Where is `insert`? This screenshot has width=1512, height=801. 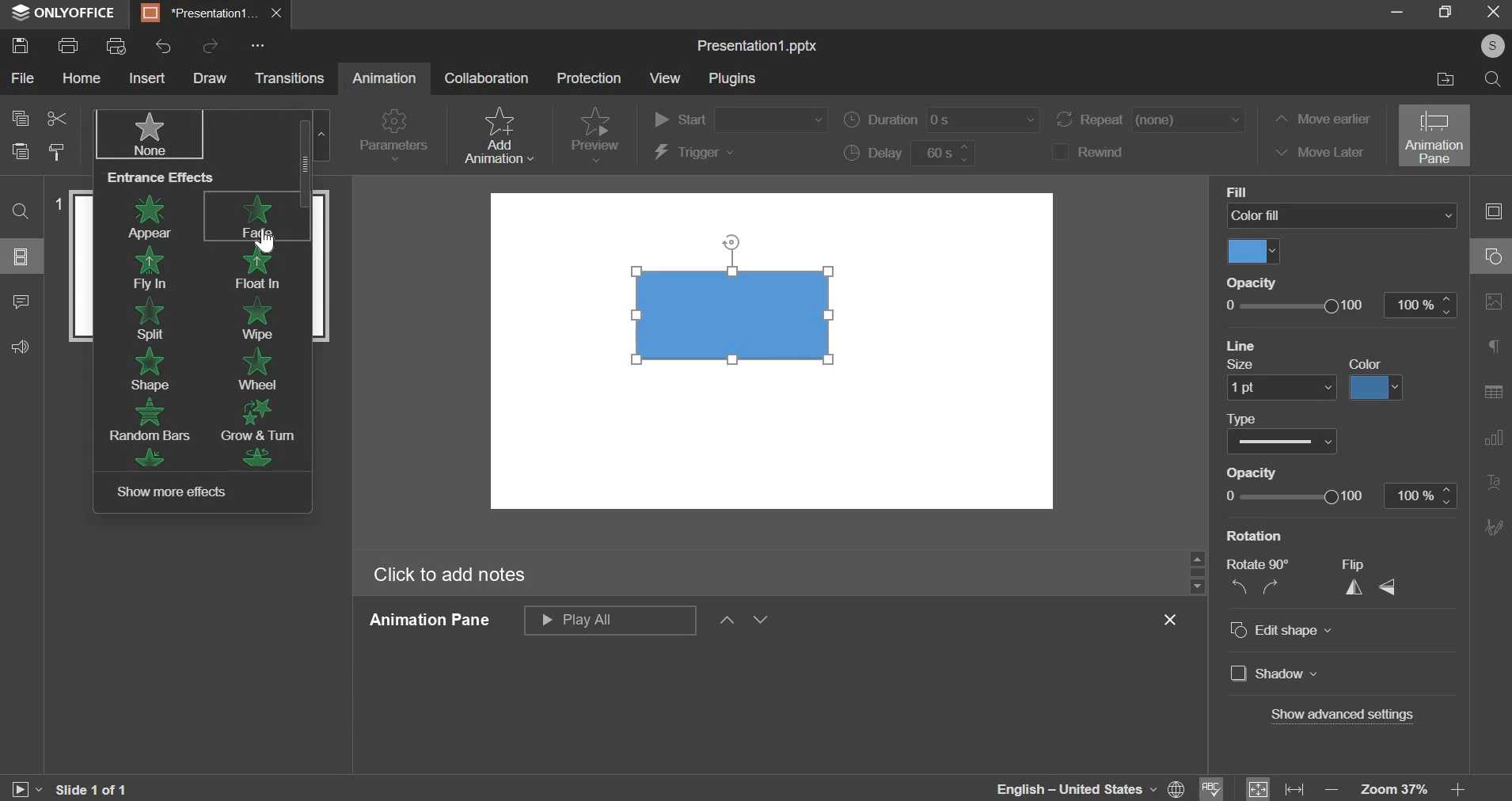 insert is located at coordinates (149, 80).